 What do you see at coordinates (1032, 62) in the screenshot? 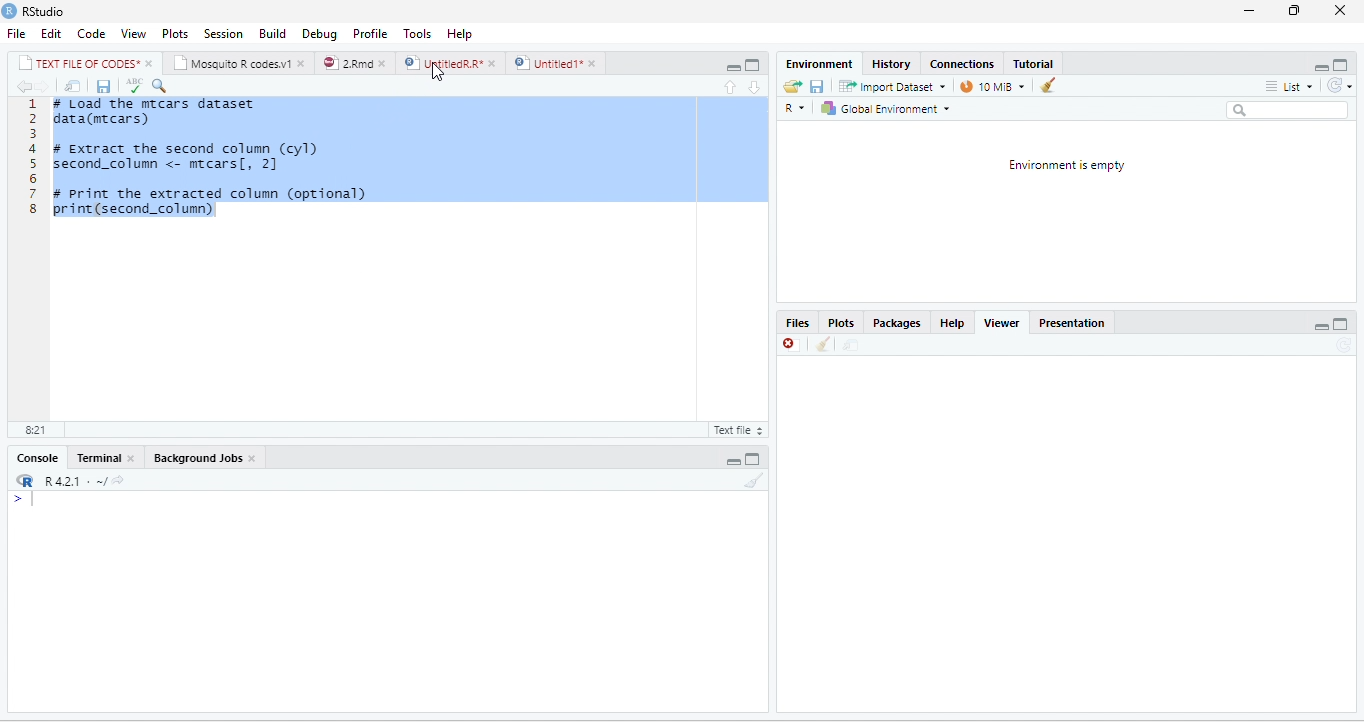
I see `Tutorial` at bounding box center [1032, 62].